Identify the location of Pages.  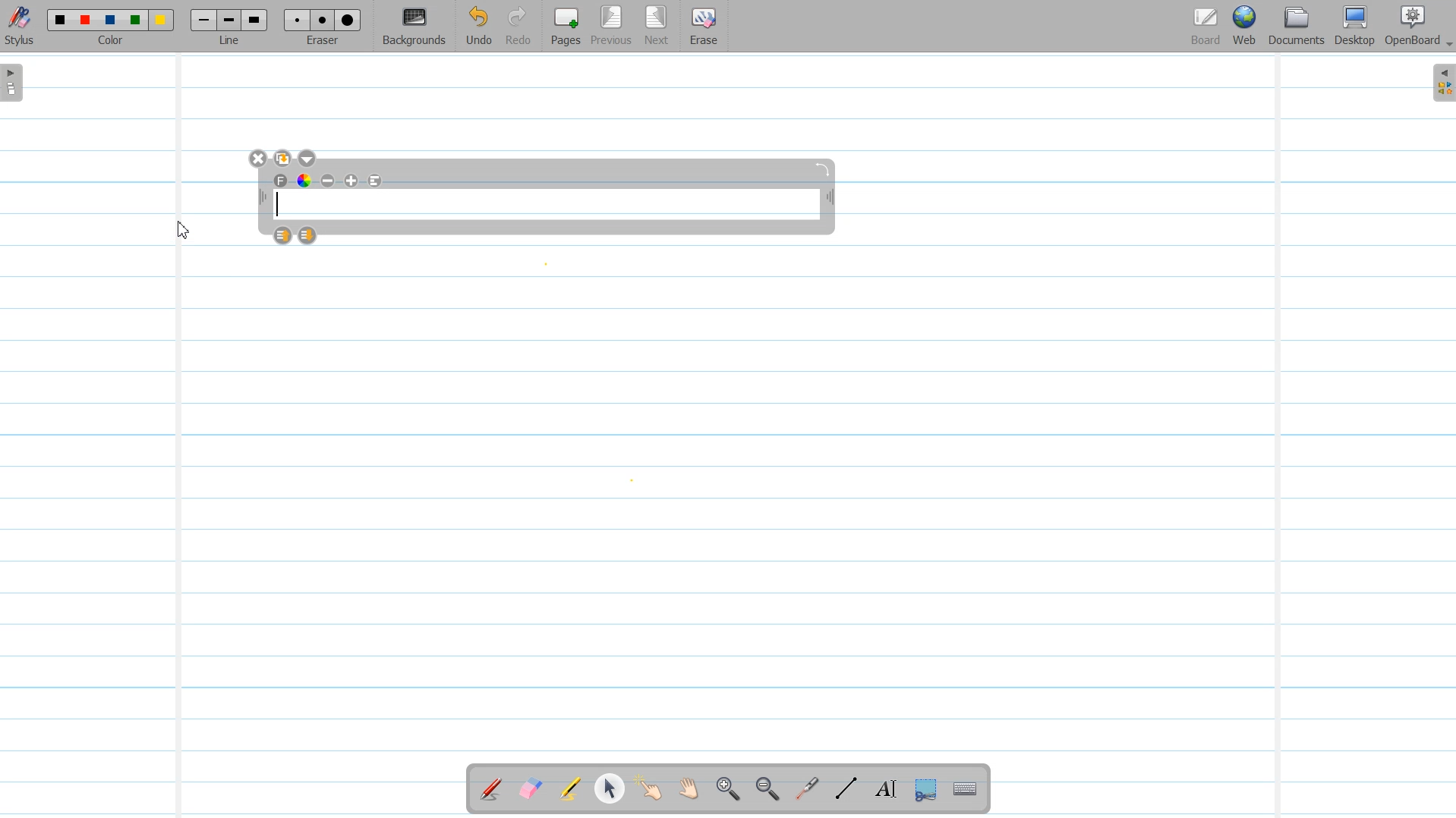
(564, 26).